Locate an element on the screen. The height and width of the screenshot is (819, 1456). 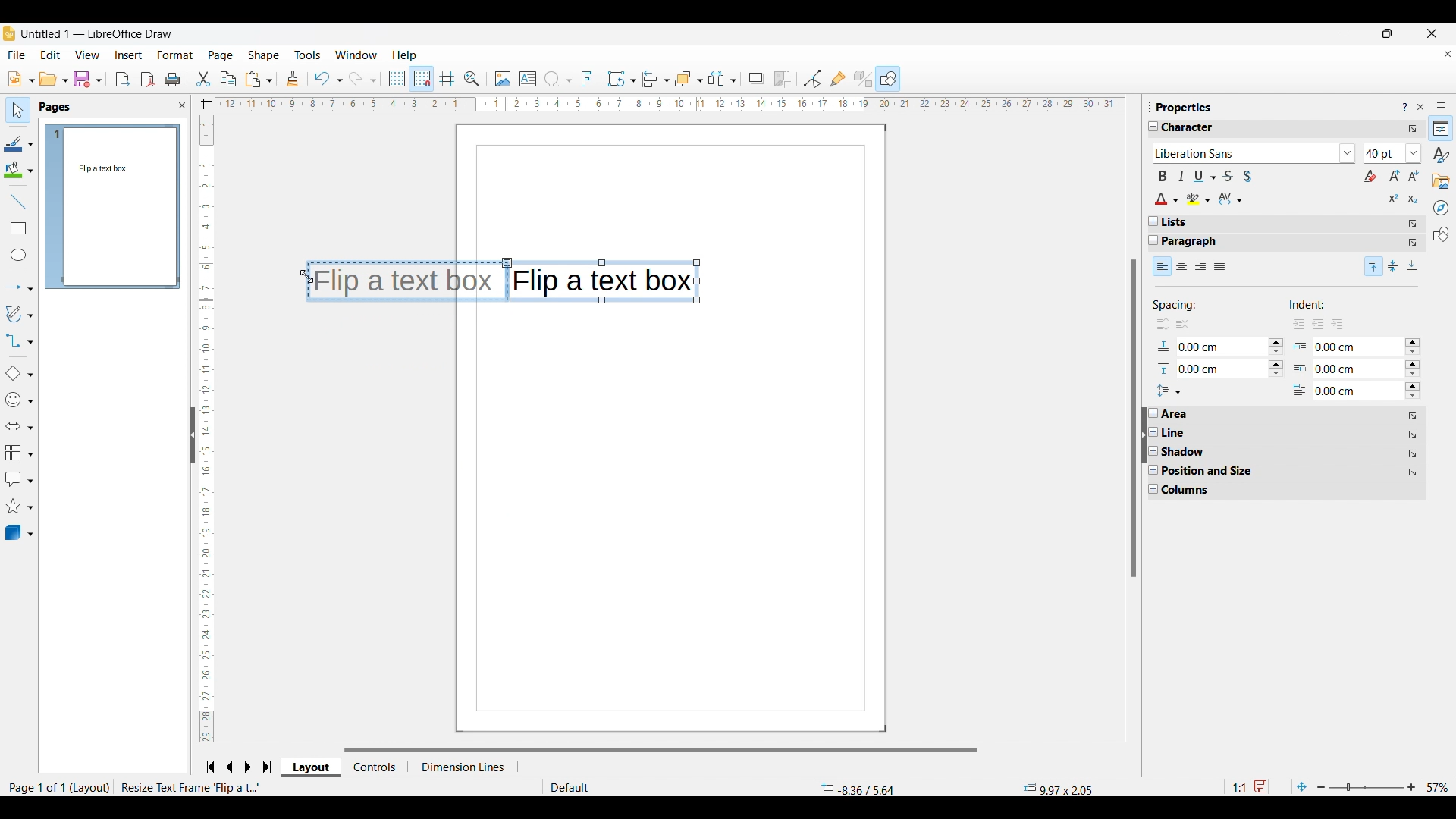
layout is located at coordinates (91, 788).